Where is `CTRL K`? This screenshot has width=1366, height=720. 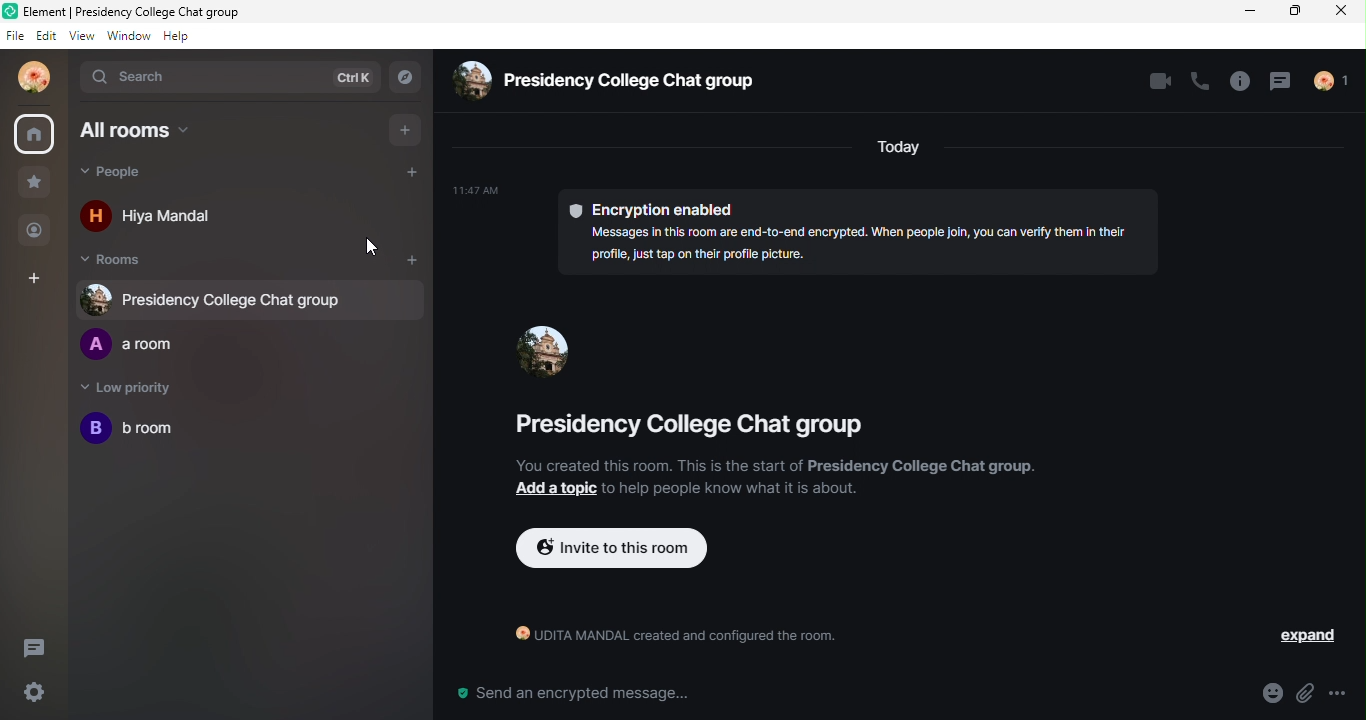 CTRL K is located at coordinates (346, 77).